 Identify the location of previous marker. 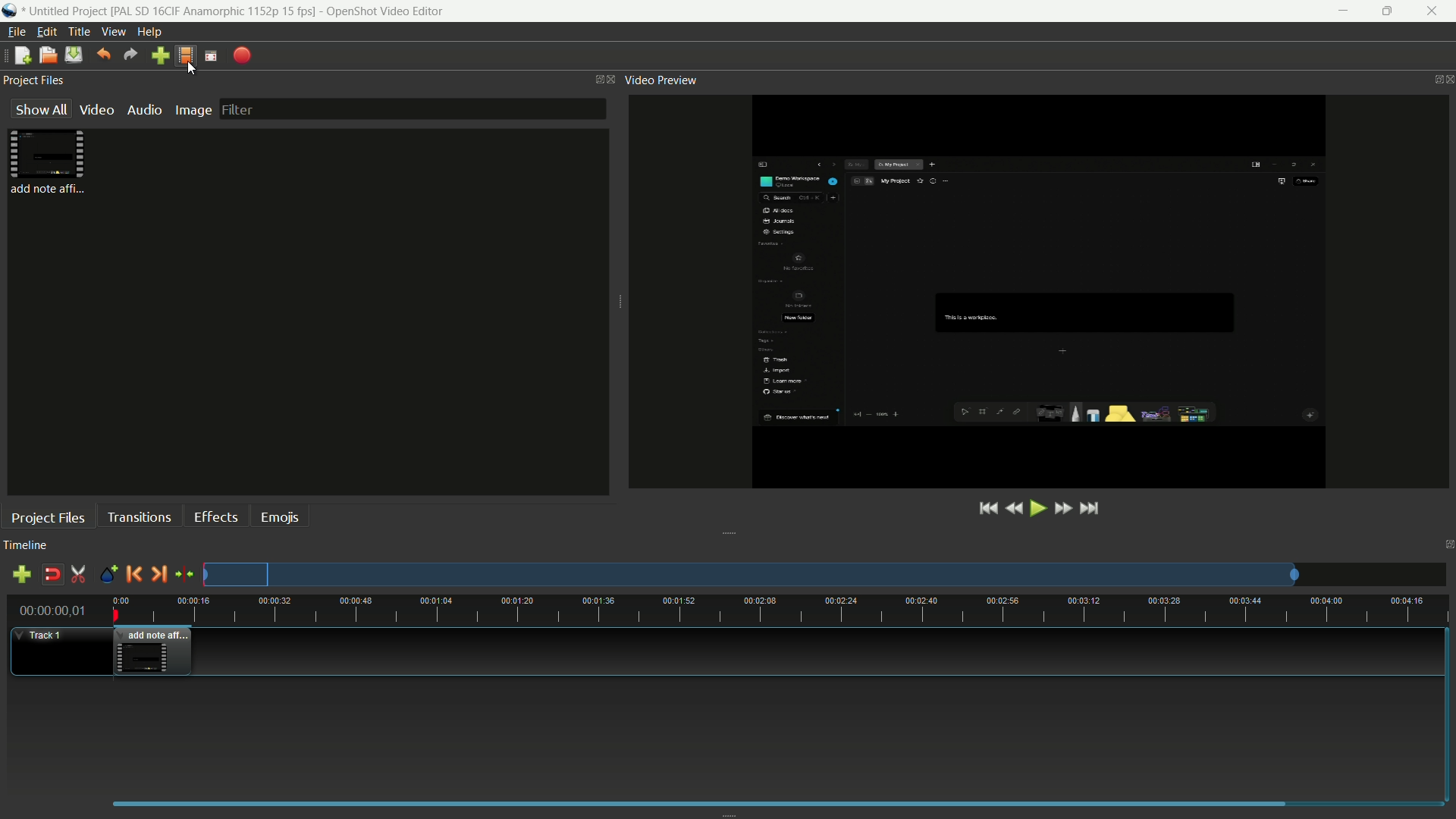
(133, 574).